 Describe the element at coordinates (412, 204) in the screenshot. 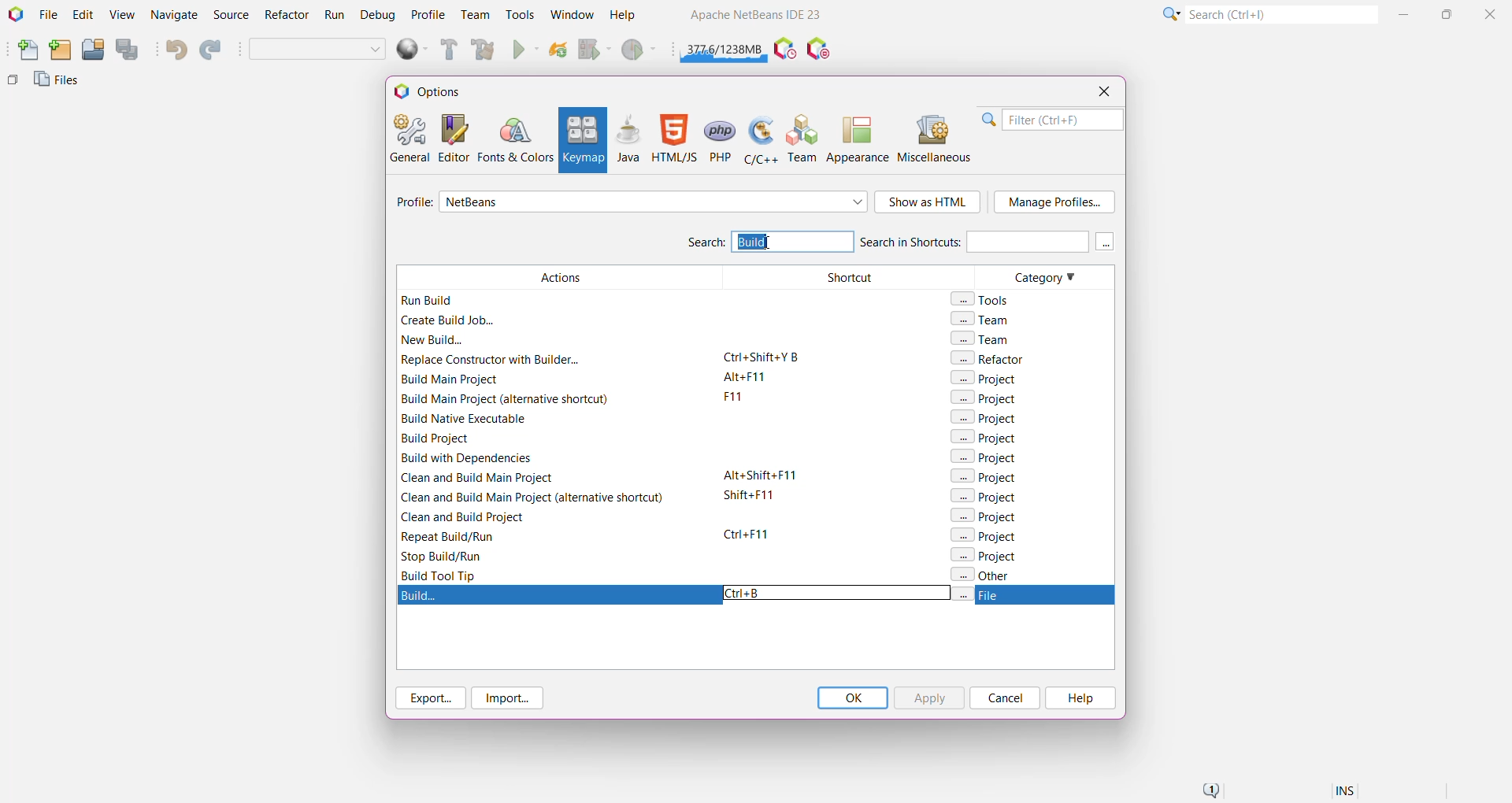

I see `Profile` at that location.